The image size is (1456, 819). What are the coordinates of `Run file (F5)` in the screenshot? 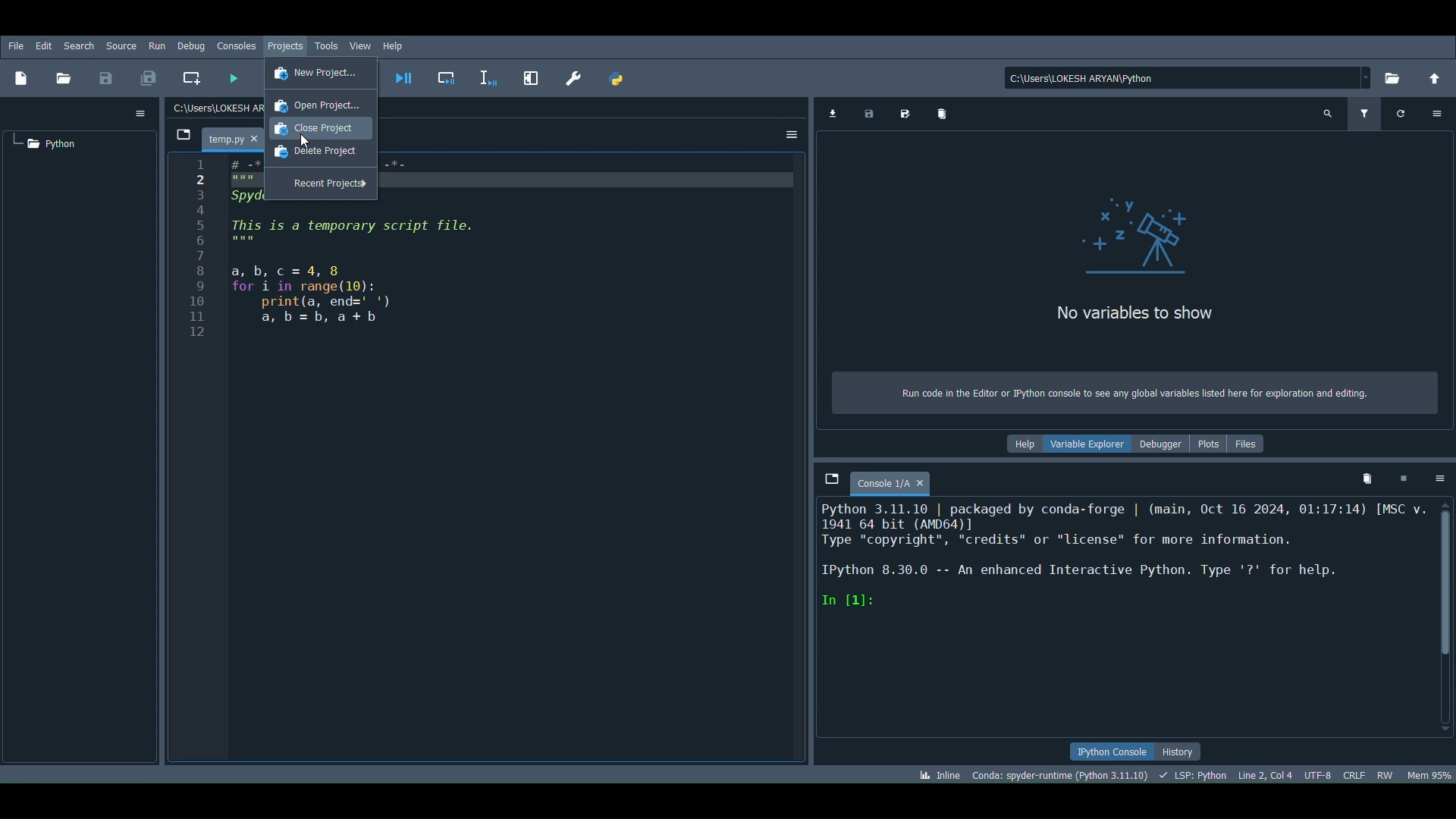 It's located at (231, 80).